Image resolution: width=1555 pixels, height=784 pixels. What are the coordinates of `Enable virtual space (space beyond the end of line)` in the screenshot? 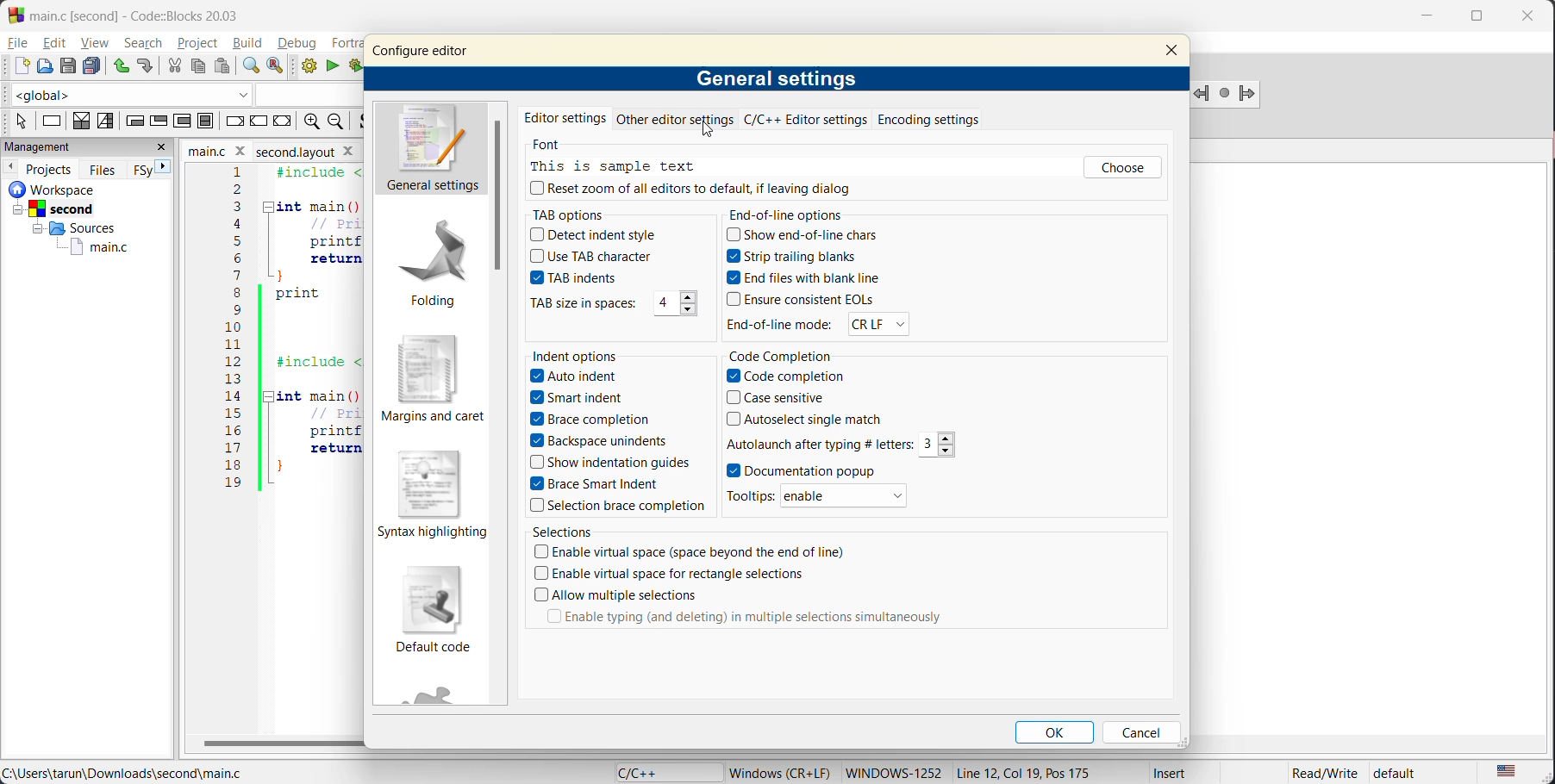 It's located at (720, 551).